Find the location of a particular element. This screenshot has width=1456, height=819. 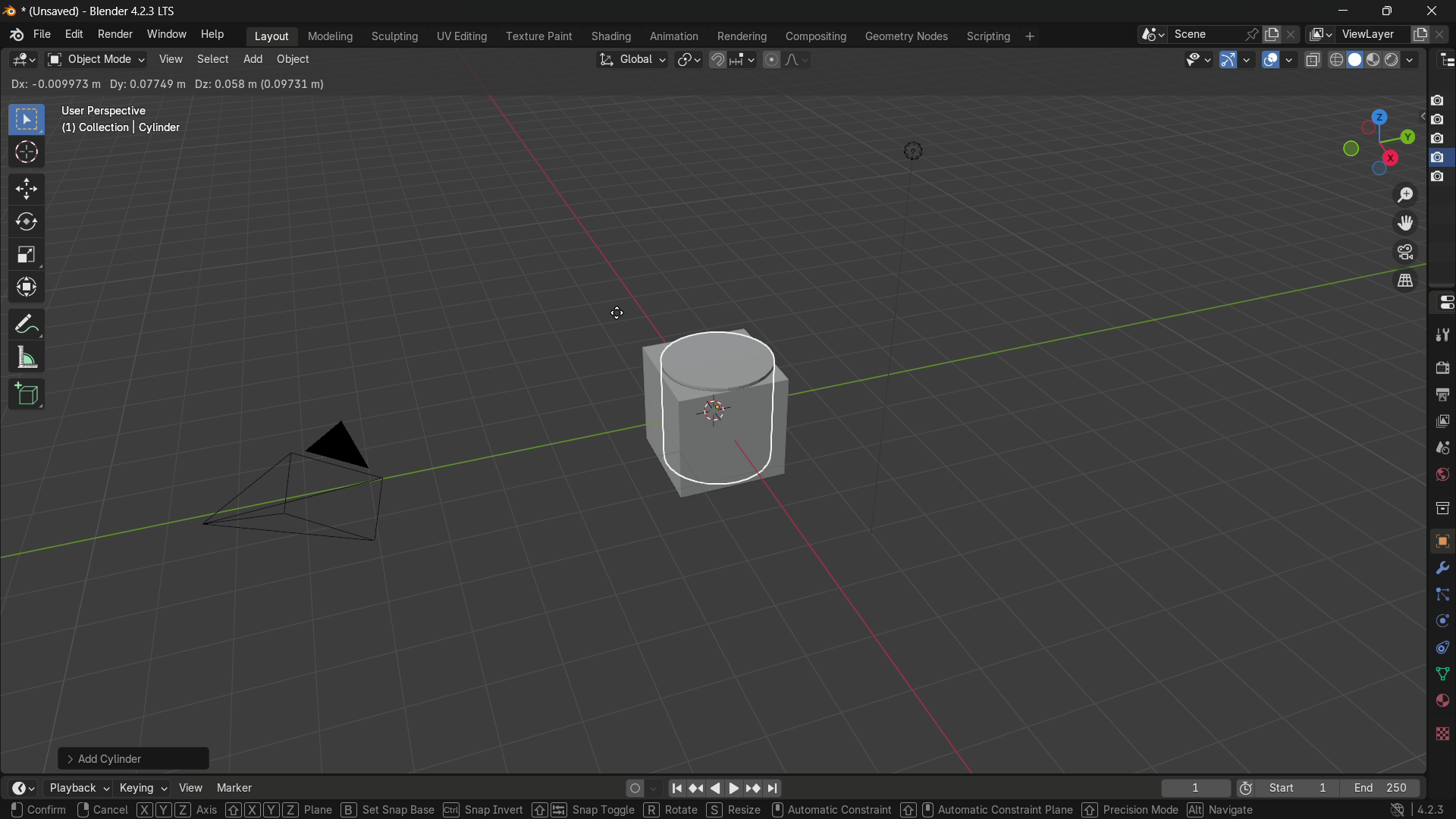

new scene is located at coordinates (1272, 34).